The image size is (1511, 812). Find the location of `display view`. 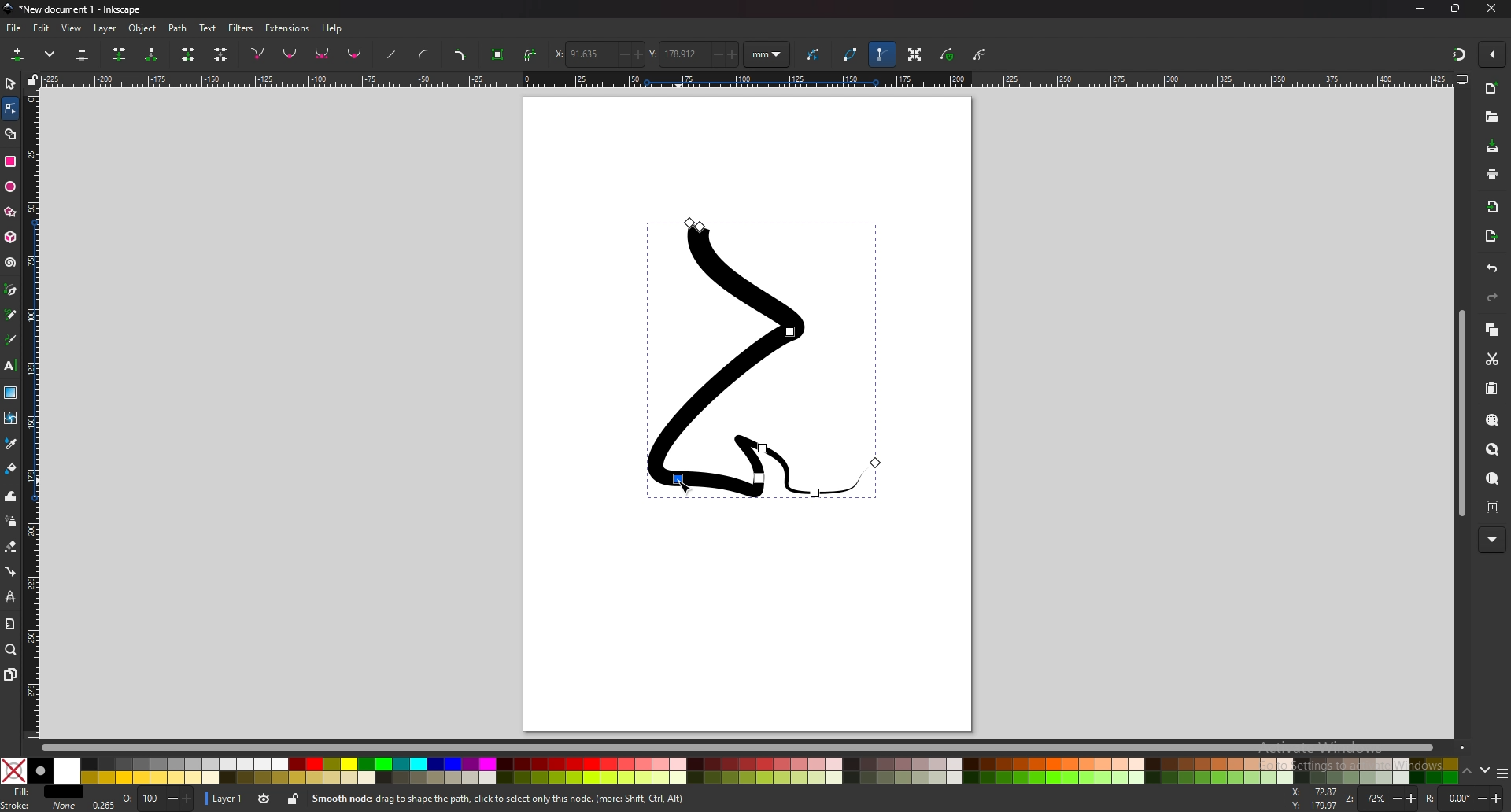

display view is located at coordinates (1463, 79).